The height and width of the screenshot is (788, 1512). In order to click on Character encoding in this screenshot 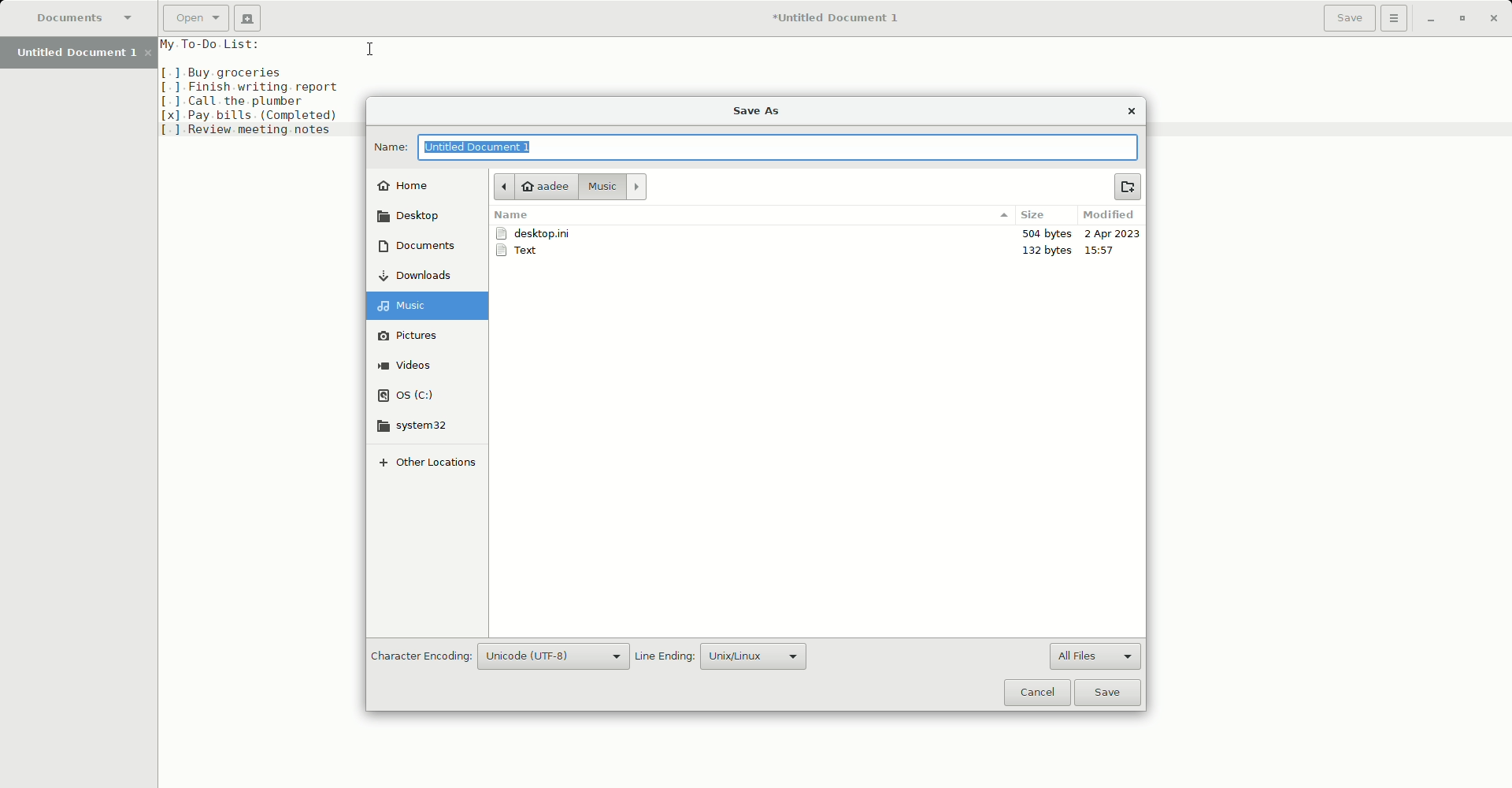, I will do `click(419, 656)`.